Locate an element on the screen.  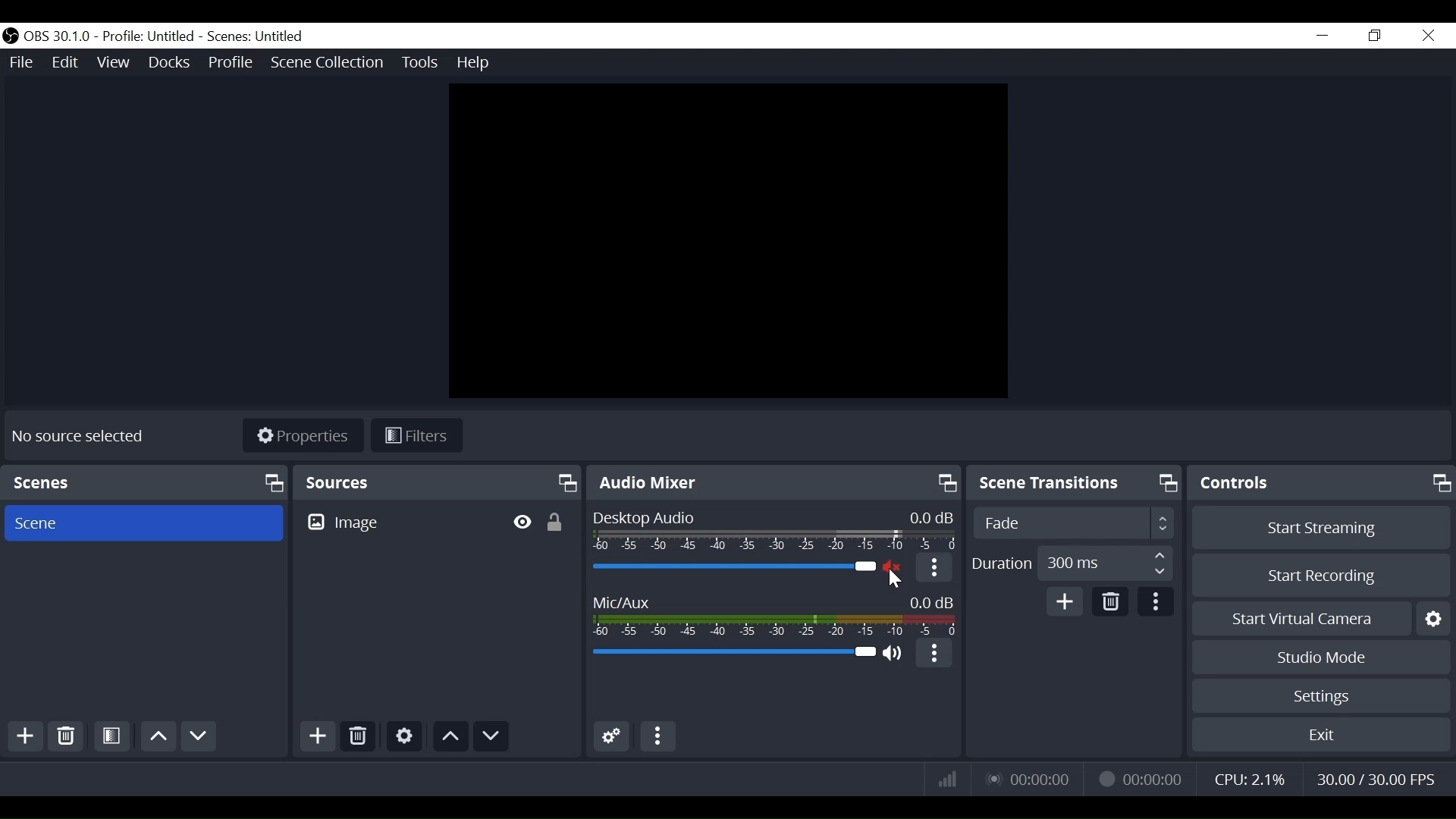
More options is located at coordinates (931, 655).